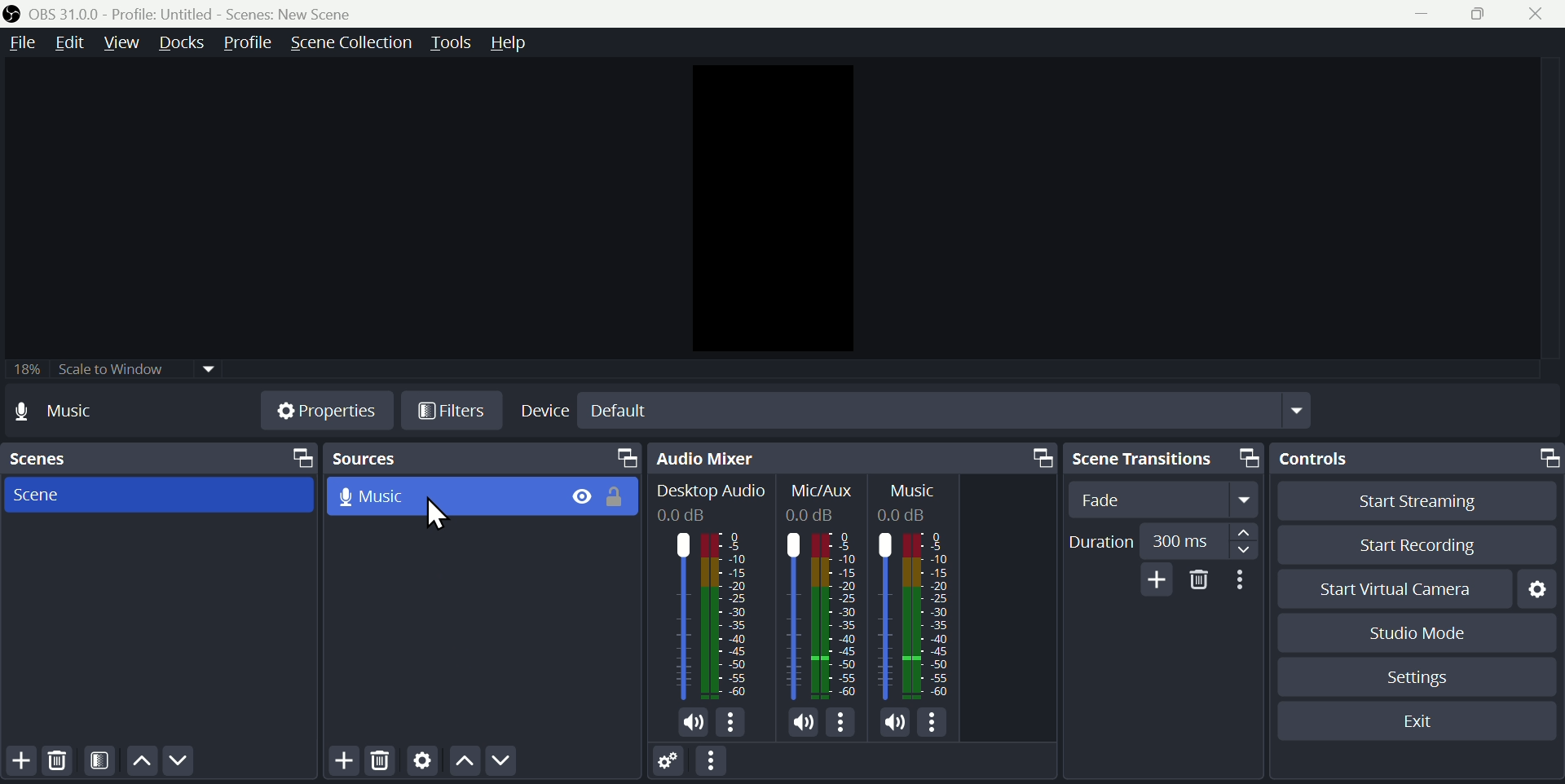 The image size is (1565, 784). Describe the element at coordinates (1243, 580) in the screenshot. I see `More options` at that location.